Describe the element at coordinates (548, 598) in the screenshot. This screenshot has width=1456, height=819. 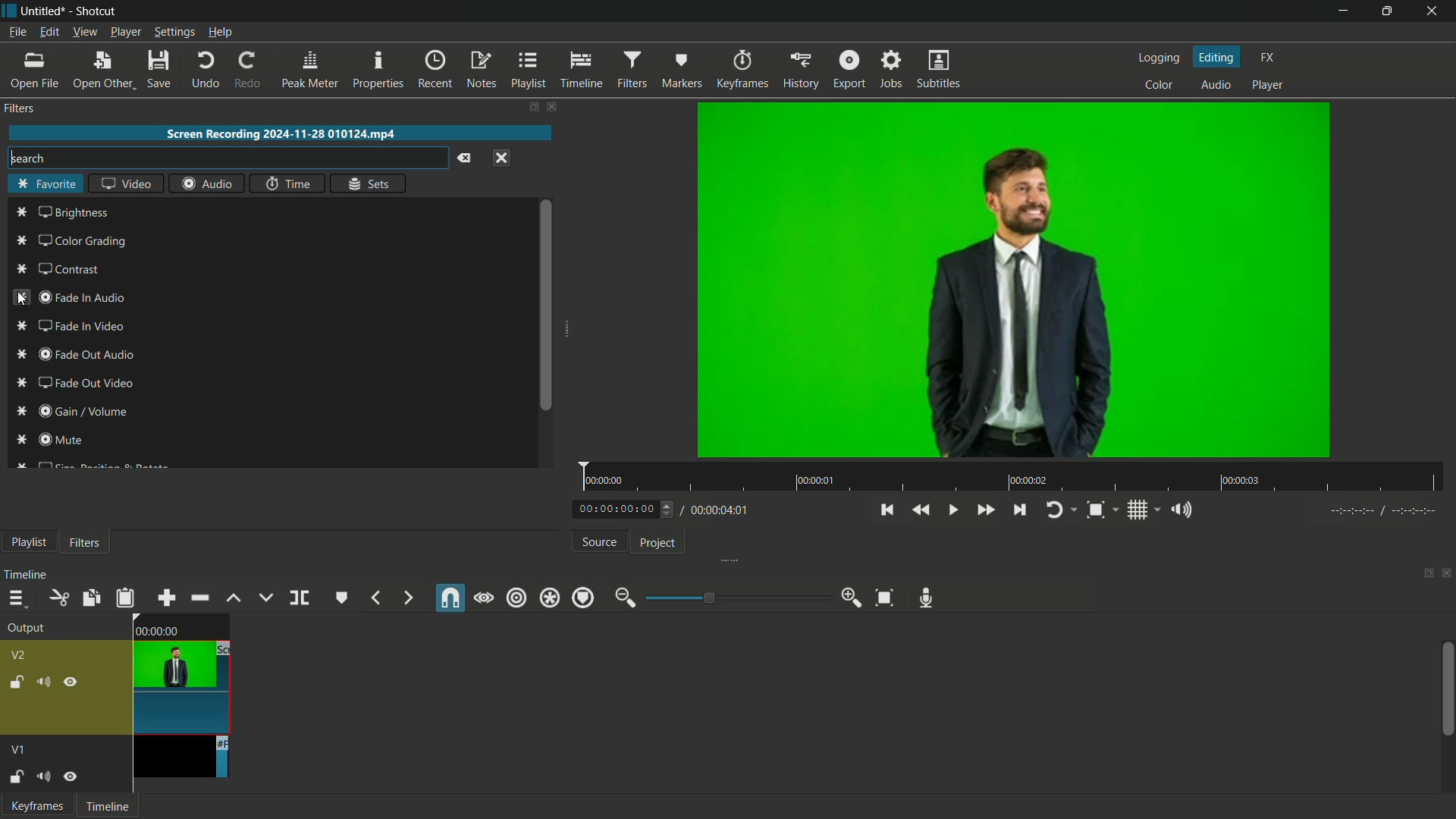
I see `ripple all tracks` at that location.